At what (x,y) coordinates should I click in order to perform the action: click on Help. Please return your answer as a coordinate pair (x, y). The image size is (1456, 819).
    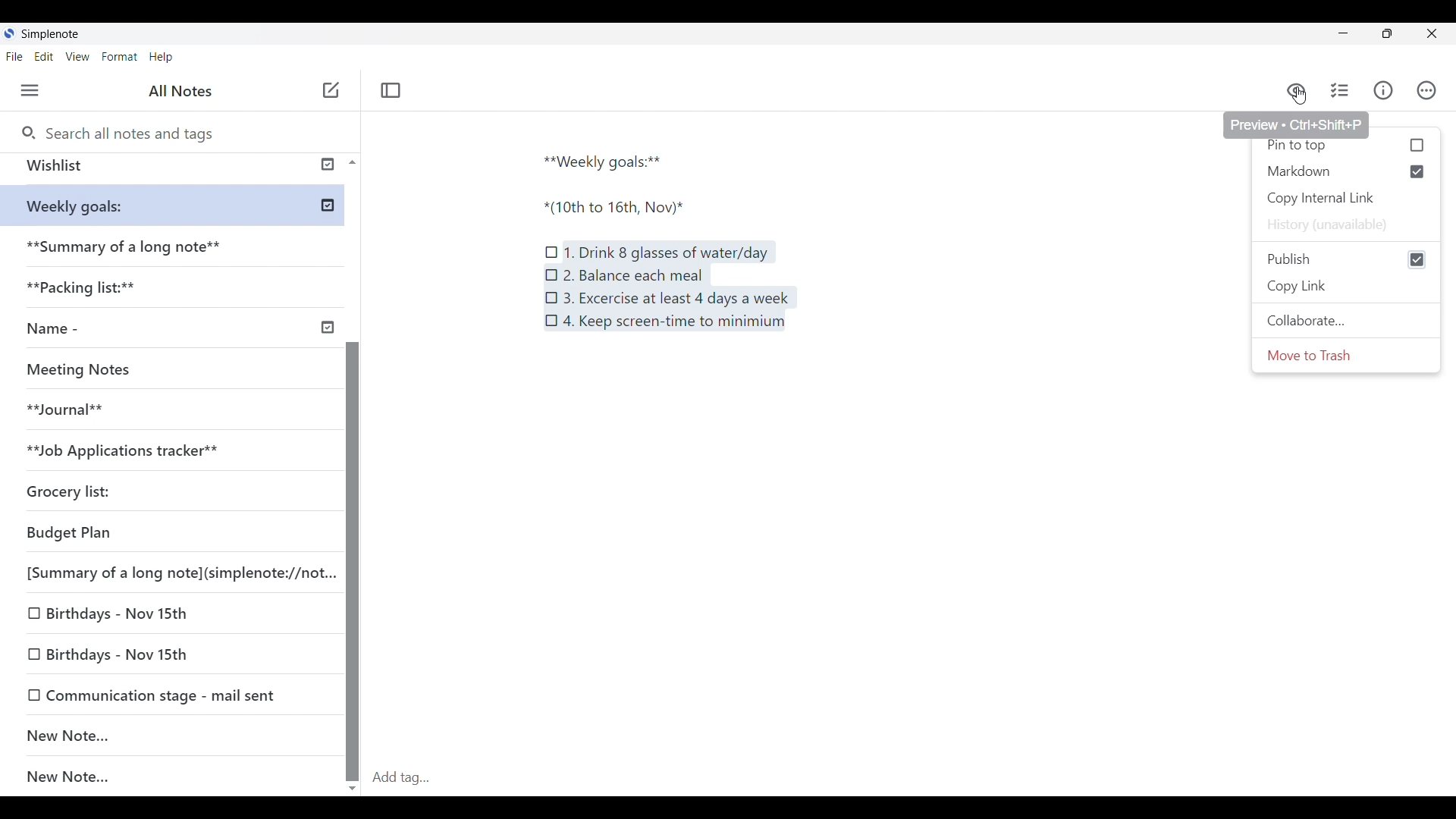
    Looking at the image, I should click on (162, 58).